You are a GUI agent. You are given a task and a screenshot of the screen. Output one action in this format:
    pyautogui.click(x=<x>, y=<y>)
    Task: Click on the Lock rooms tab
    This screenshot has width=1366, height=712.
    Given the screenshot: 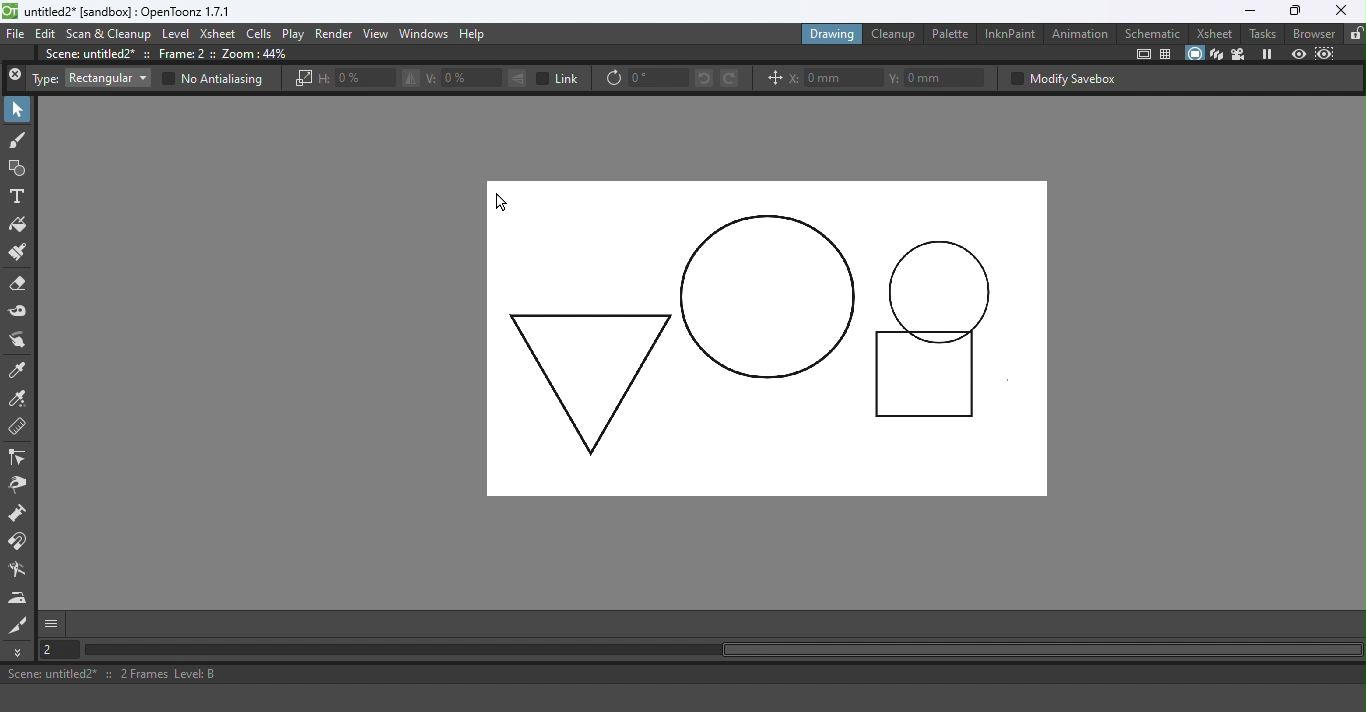 What is the action you would take?
    pyautogui.click(x=1354, y=34)
    